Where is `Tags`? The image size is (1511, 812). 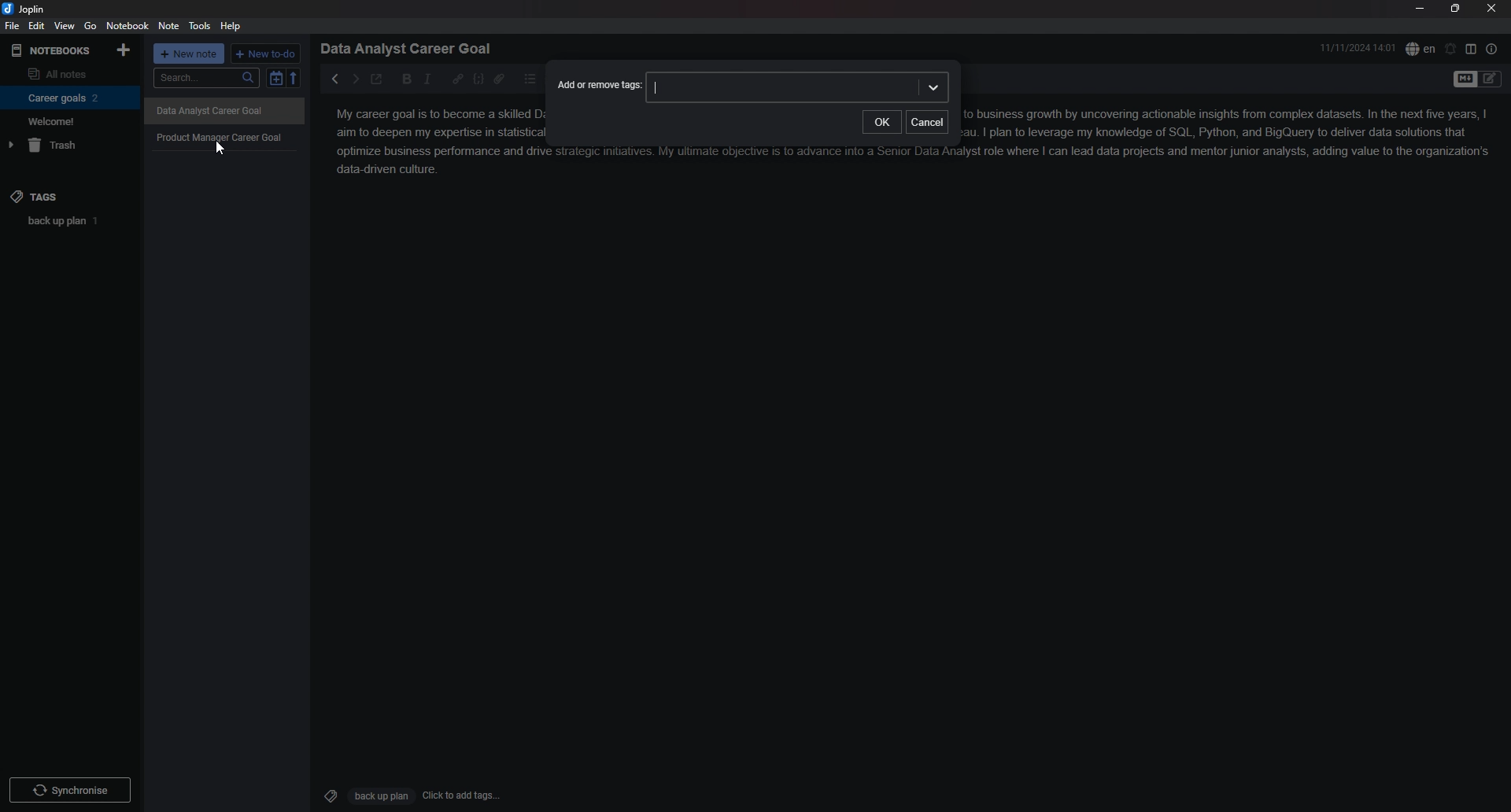 Tags is located at coordinates (327, 794).